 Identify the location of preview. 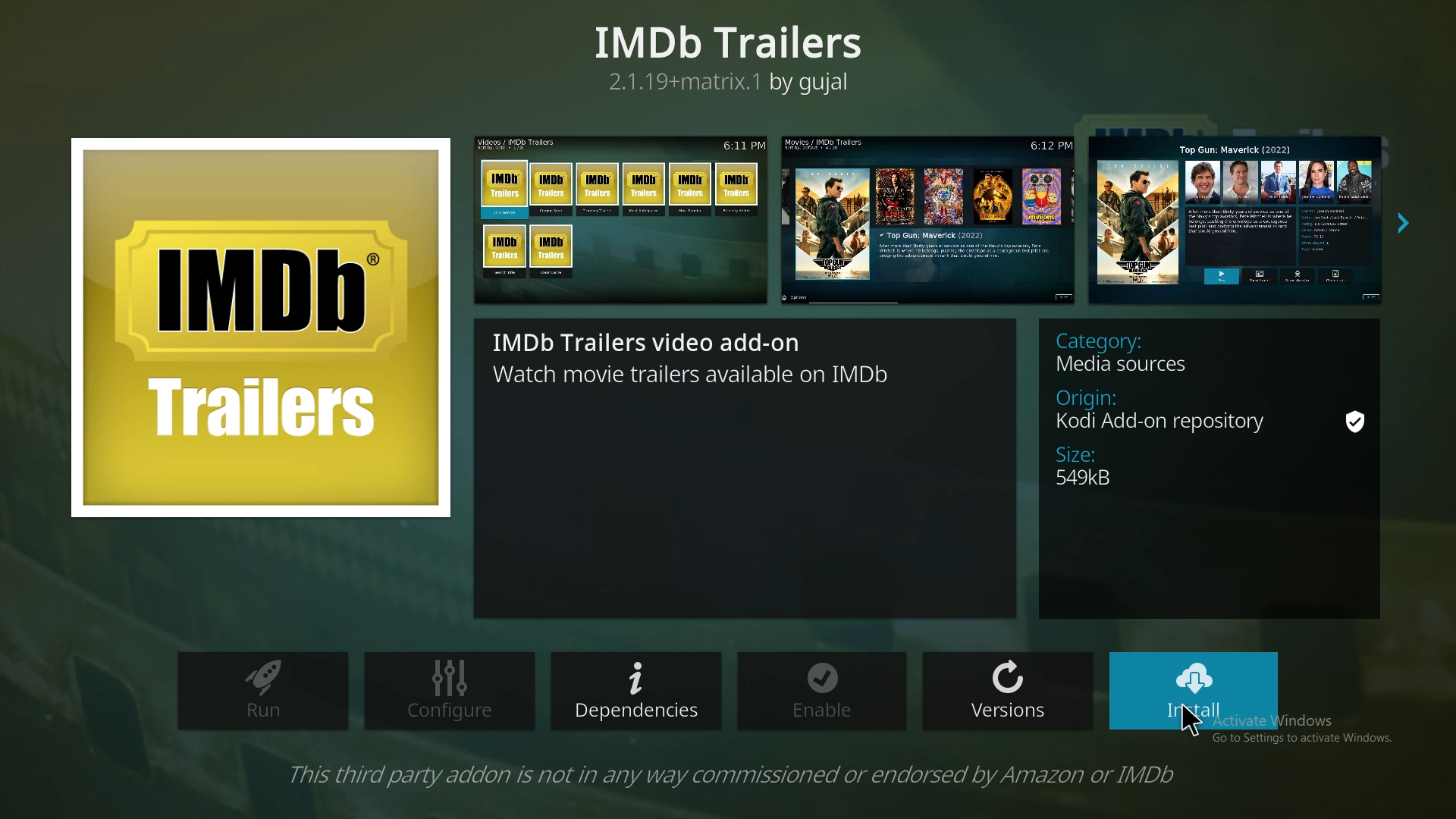
(1239, 218).